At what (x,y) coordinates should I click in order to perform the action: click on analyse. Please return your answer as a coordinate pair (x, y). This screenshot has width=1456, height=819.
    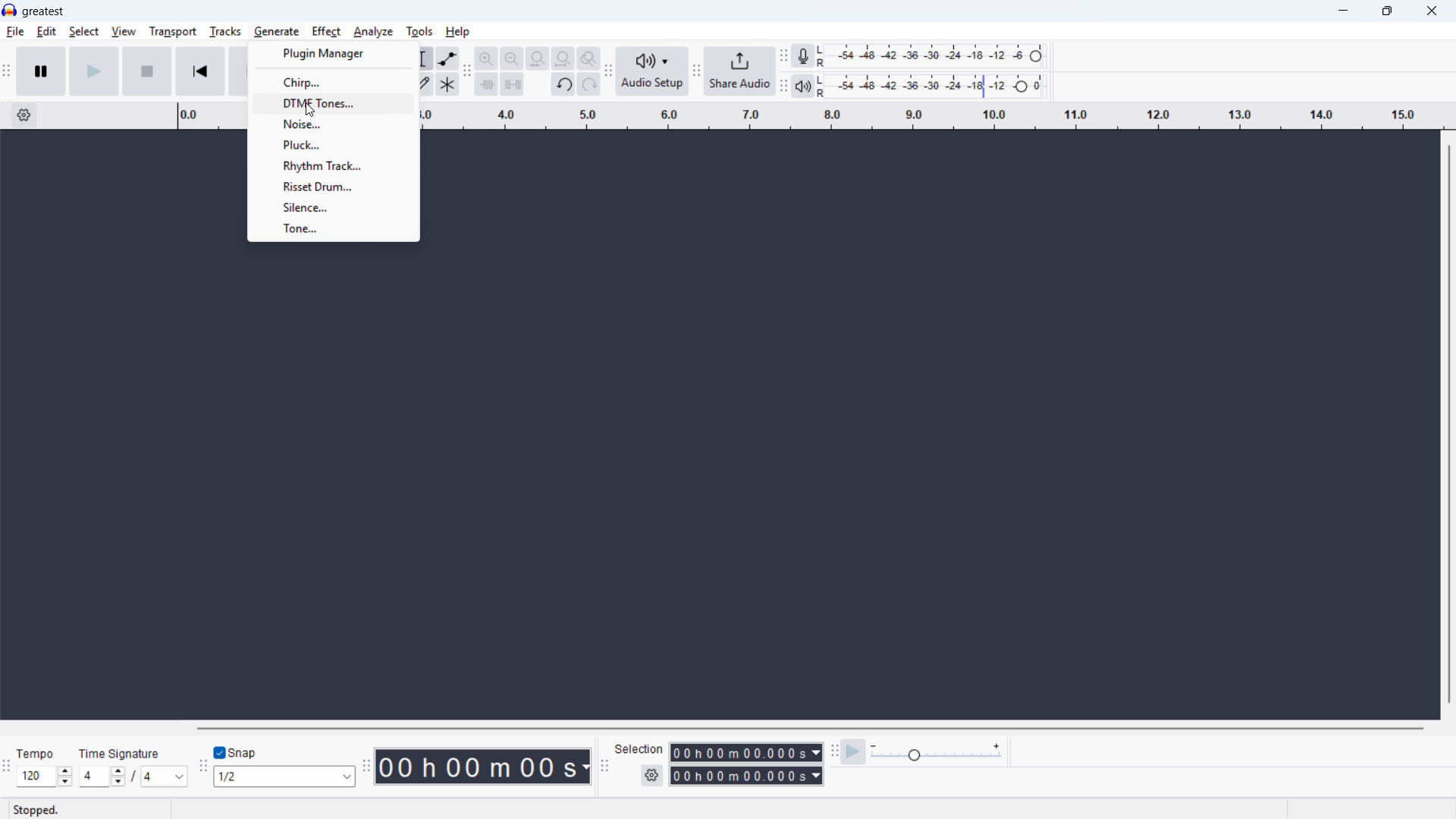
    Looking at the image, I should click on (374, 32).